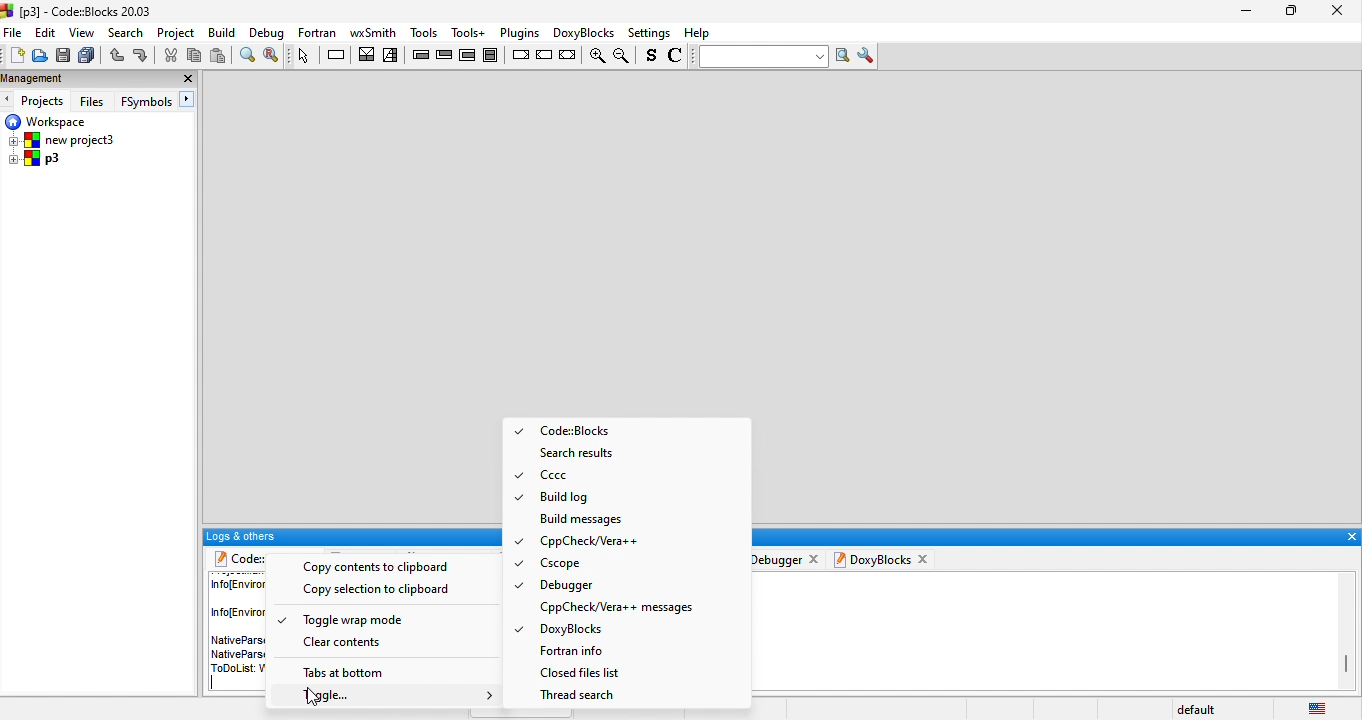 The height and width of the screenshot is (720, 1362). I want to click on new project, so click(66, 140).